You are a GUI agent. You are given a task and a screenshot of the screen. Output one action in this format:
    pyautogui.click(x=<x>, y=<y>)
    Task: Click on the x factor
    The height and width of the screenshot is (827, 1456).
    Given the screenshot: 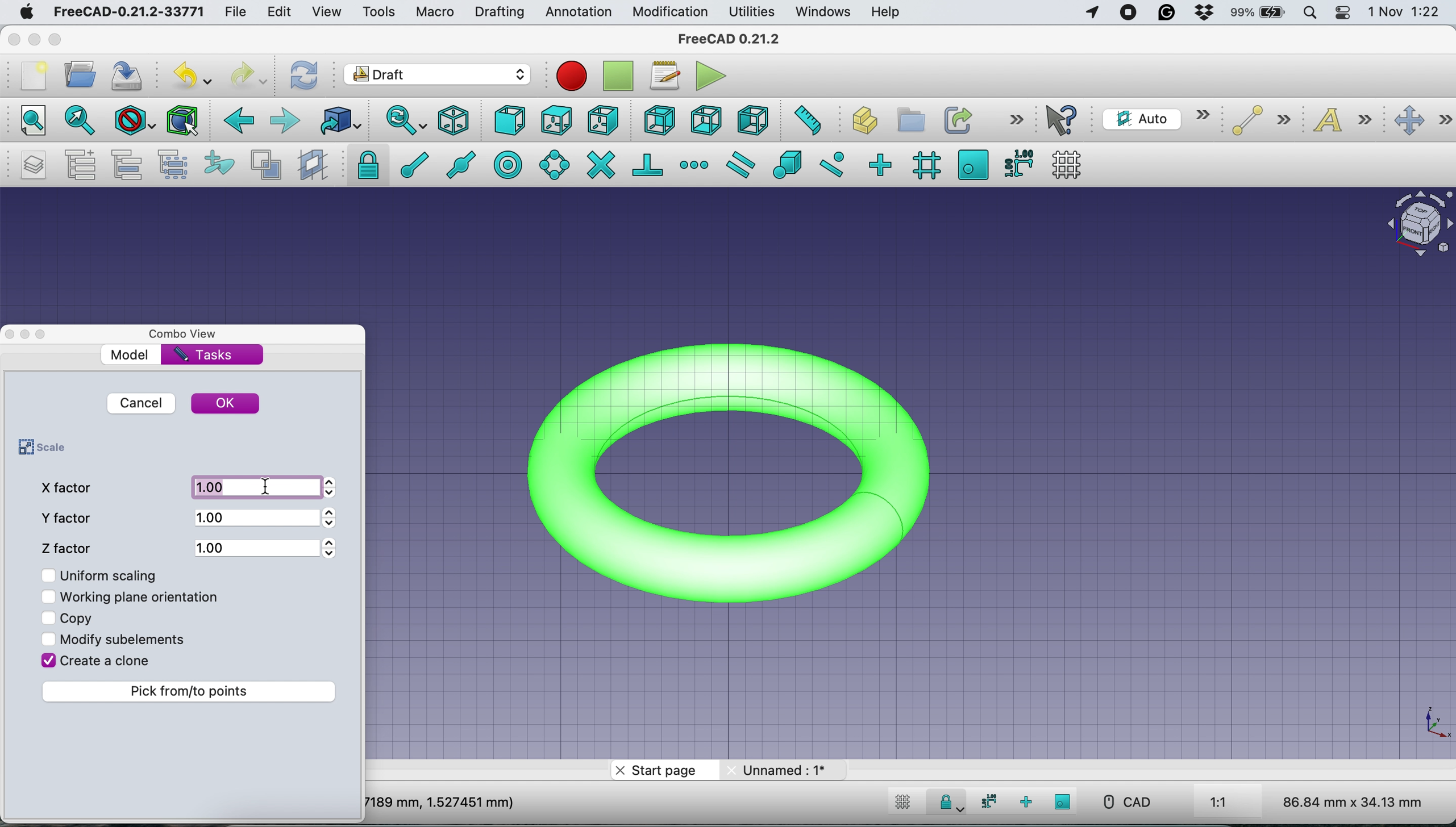 What is the action you would take?
    pyautogui.click(x=69, y=487)
    